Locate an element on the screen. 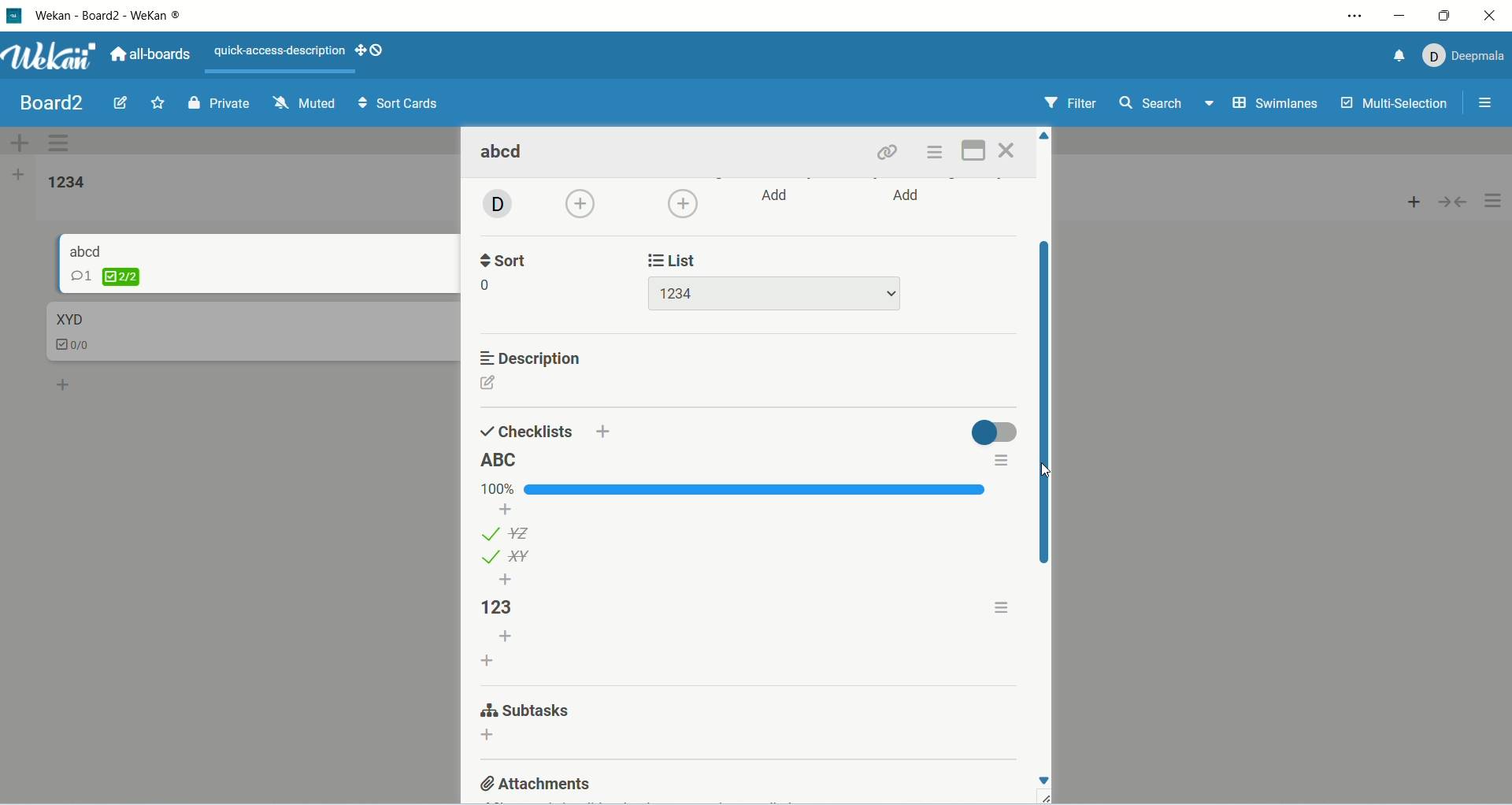 Image resolution: width=1512 pixels, height=805 pixels. avatar is located at coordinates (495, 206).